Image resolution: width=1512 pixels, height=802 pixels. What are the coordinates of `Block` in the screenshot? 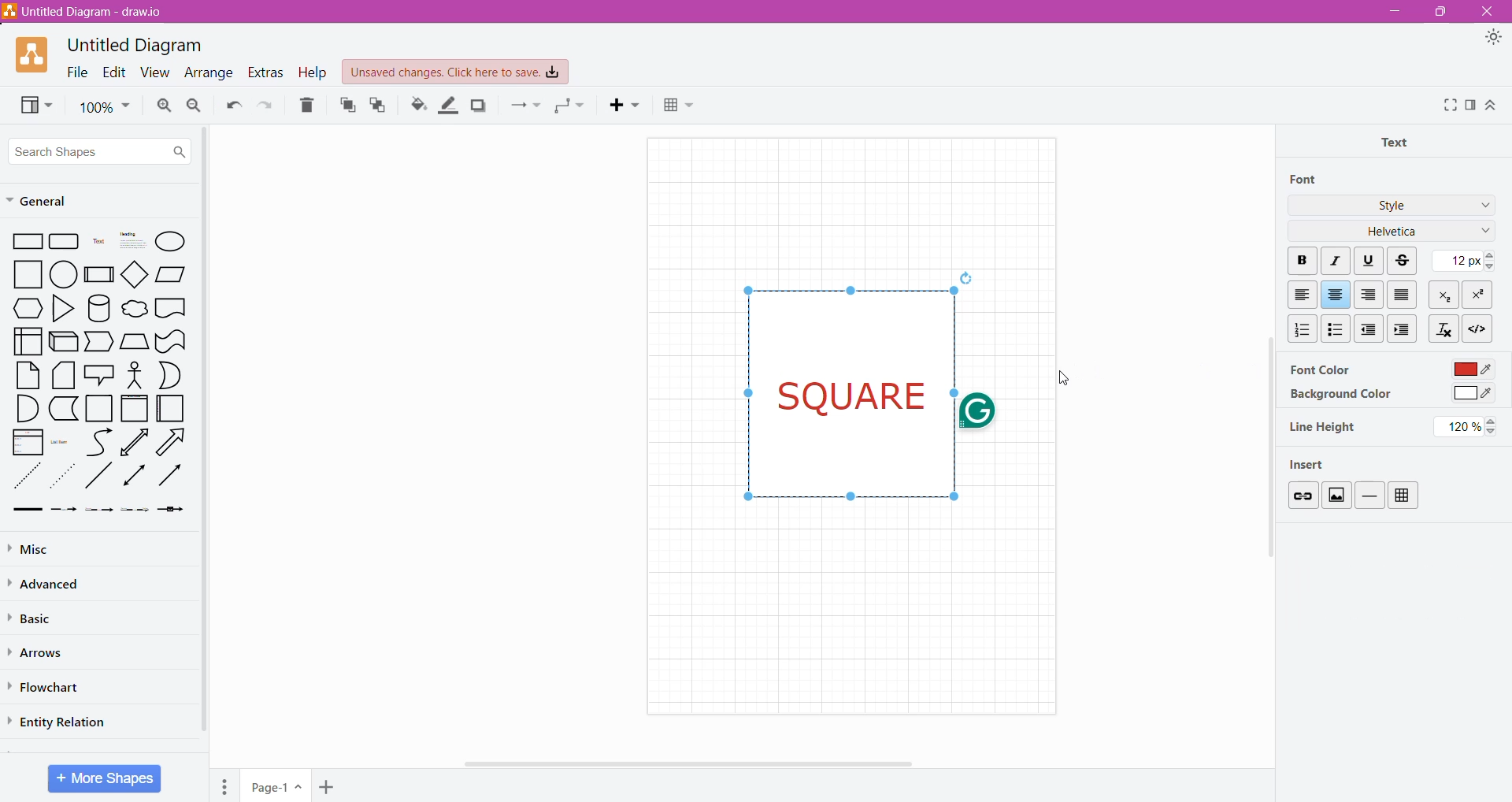 It's located at (1403, 294).